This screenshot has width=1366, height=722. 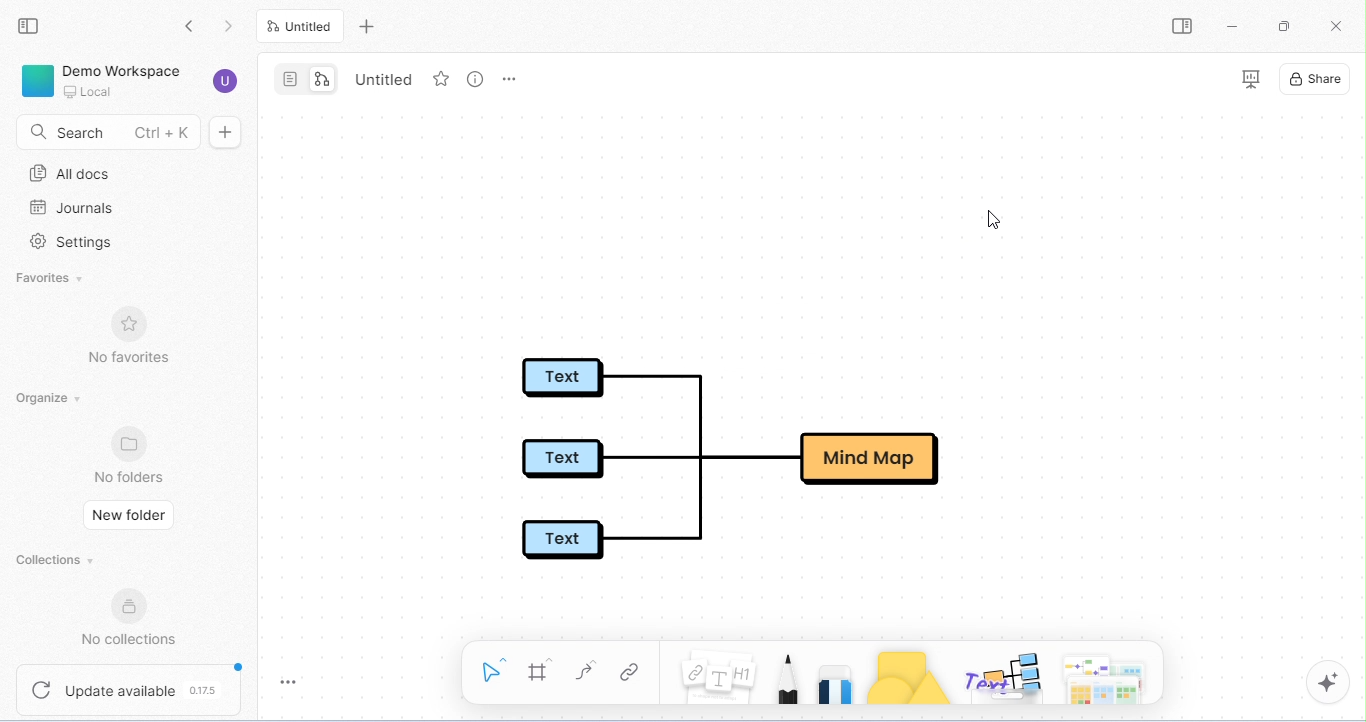 What do you see at coordinates (227, 132) in the screenshot?
I see `new doc` at bounding box center [227, 132].